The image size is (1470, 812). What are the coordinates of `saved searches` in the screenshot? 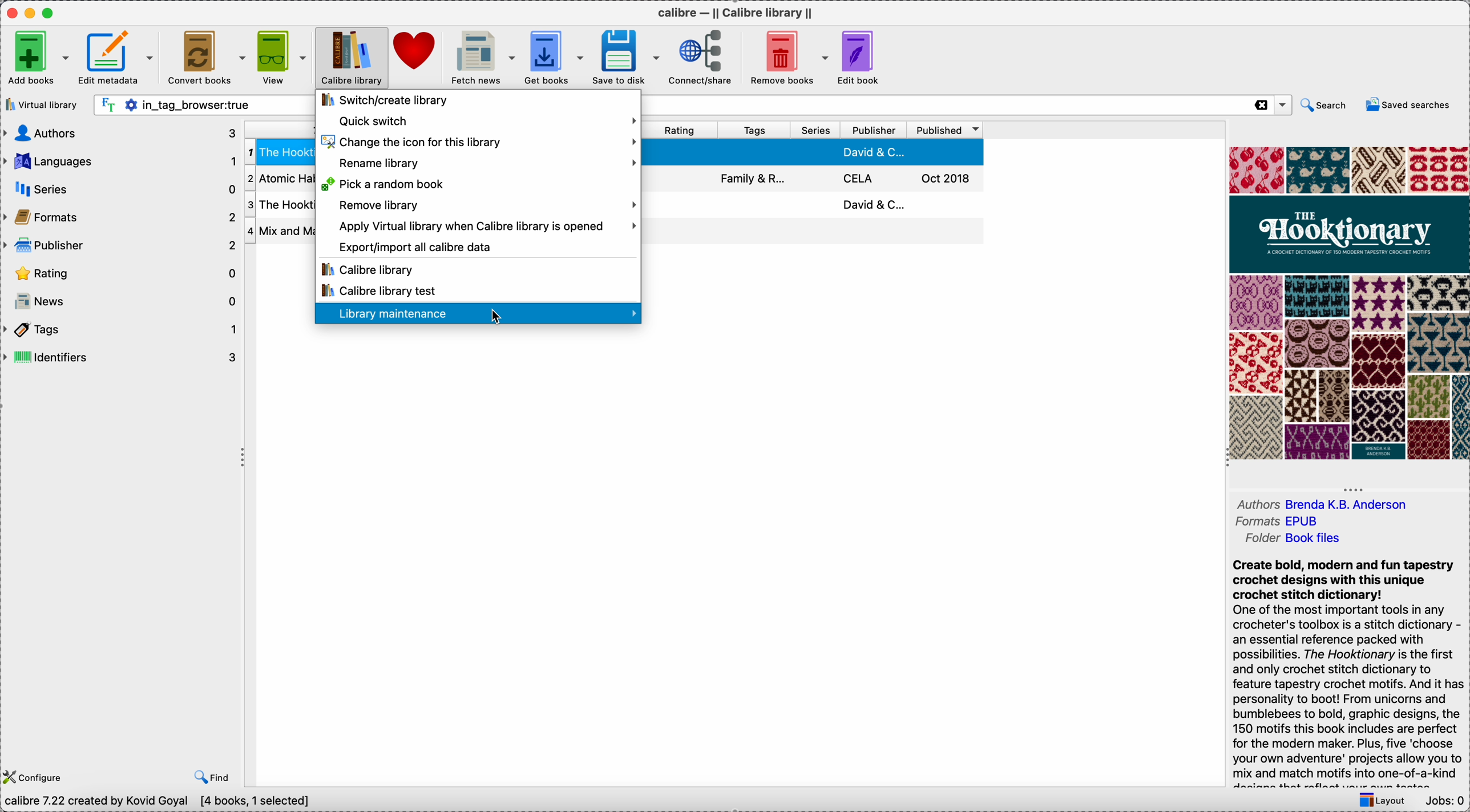 It's located at (1408, 106).